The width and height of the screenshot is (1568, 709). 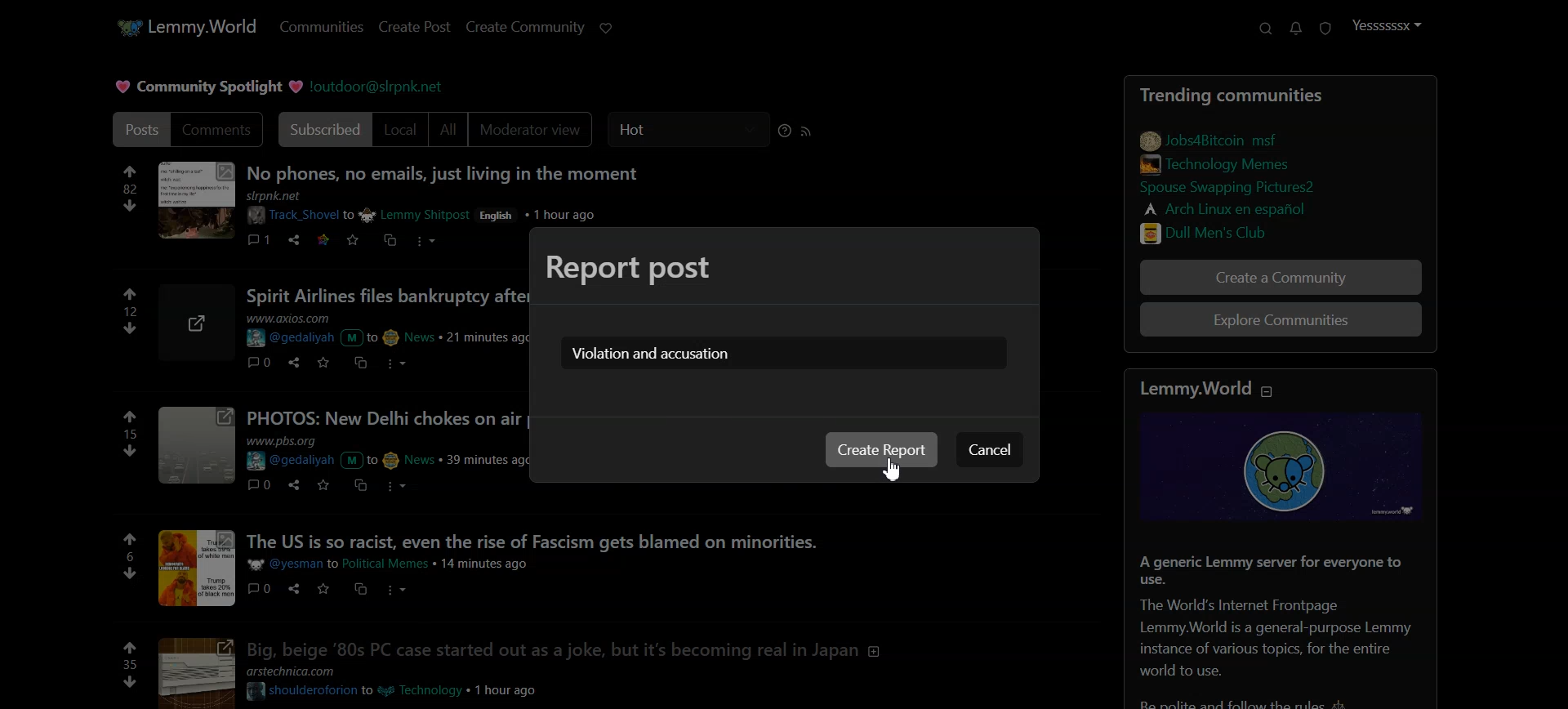 I want to click on share, so click(x=294, y=240).